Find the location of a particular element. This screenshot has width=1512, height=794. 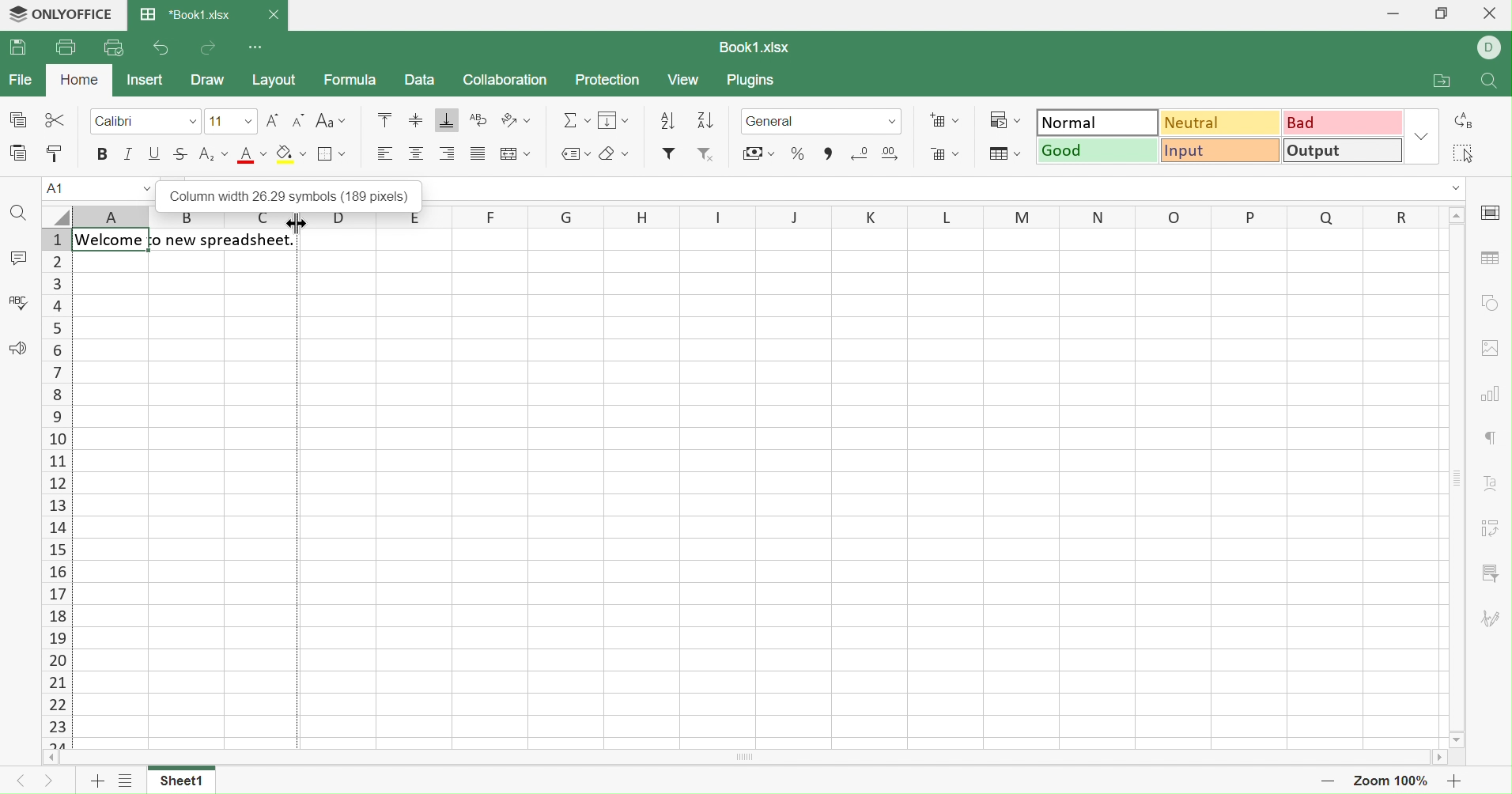

Sheet1 is located at coordinates (185, 781).